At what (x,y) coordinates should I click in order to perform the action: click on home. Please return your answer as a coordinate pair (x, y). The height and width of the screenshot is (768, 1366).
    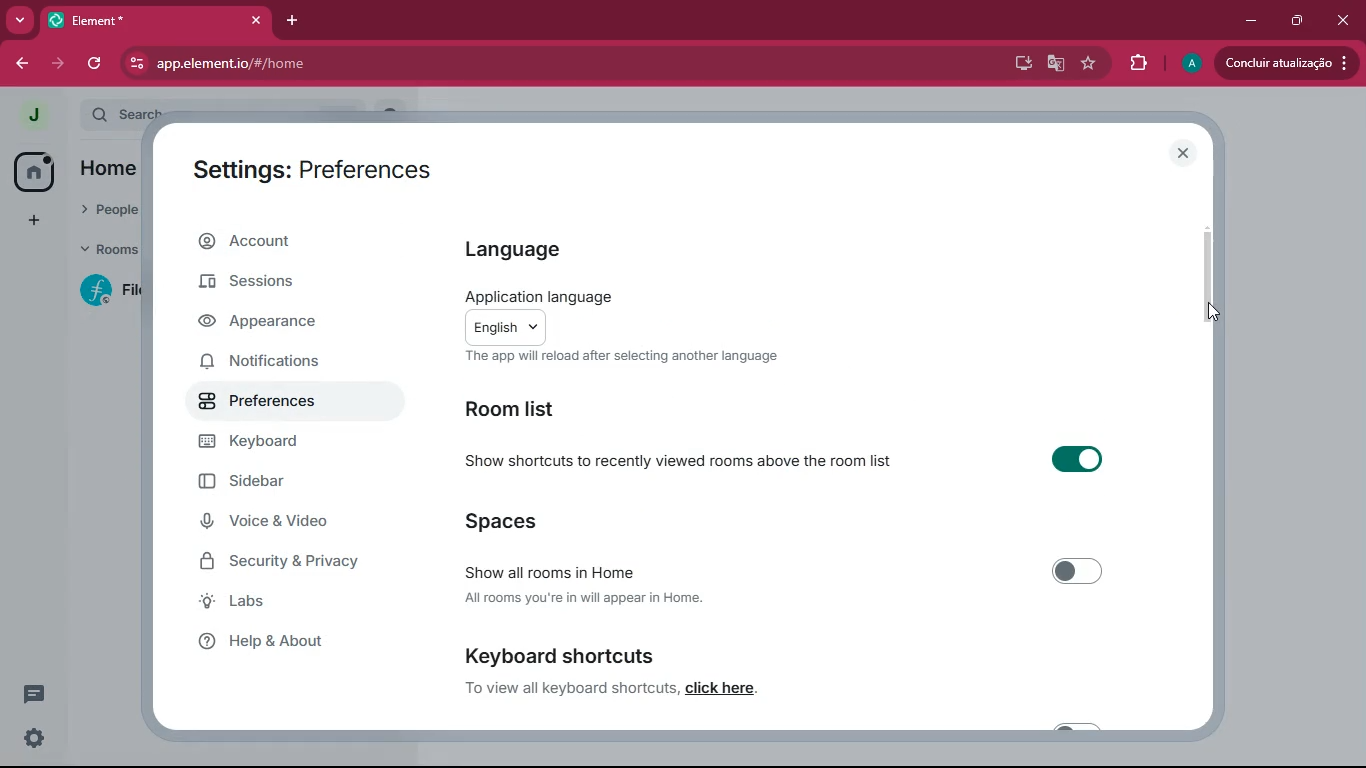
    Looking at the image, I should click on (34, 171).